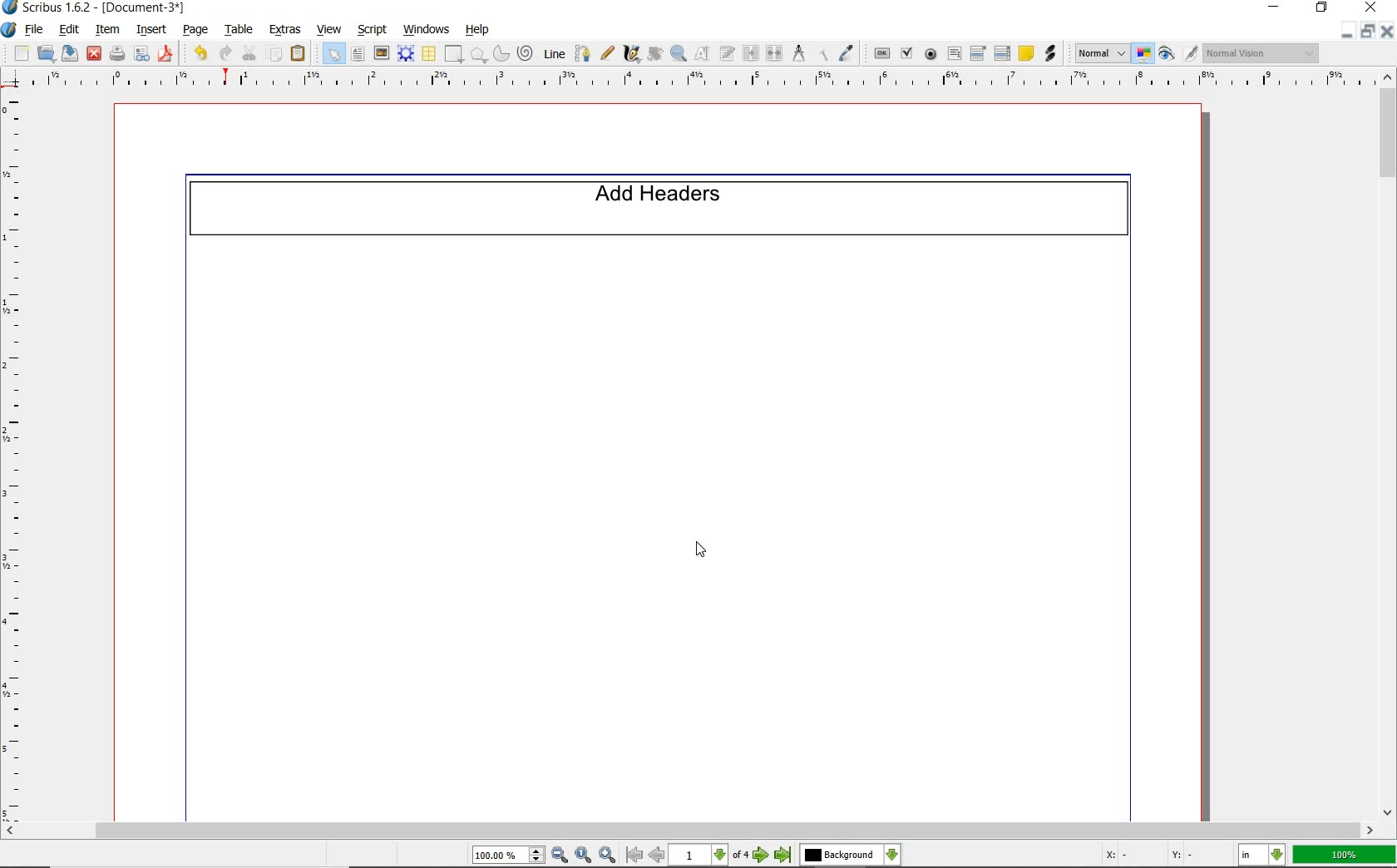  Describe the element at coordinates (908, 53) in the screenshot. I see `pdf check box` at that location.